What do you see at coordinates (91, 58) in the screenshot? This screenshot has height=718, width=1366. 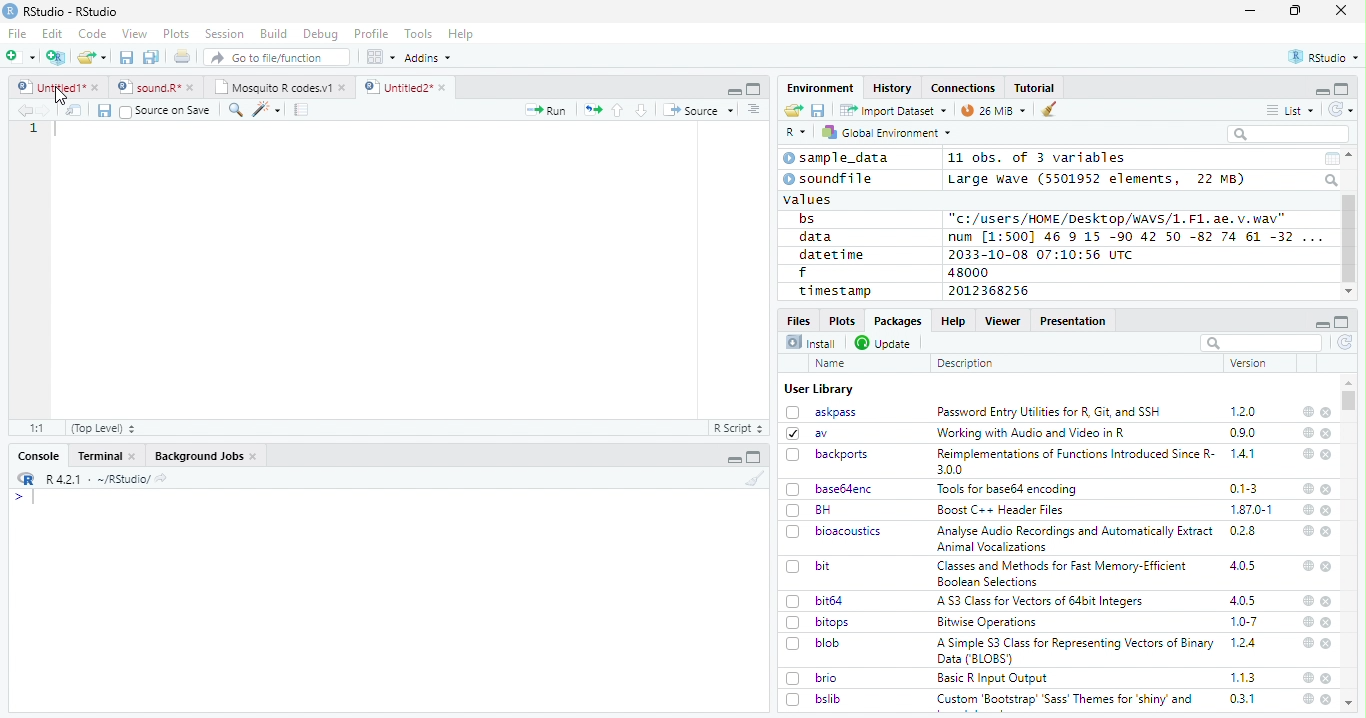 I see `open an existing file` at bounding box center [91, 58].